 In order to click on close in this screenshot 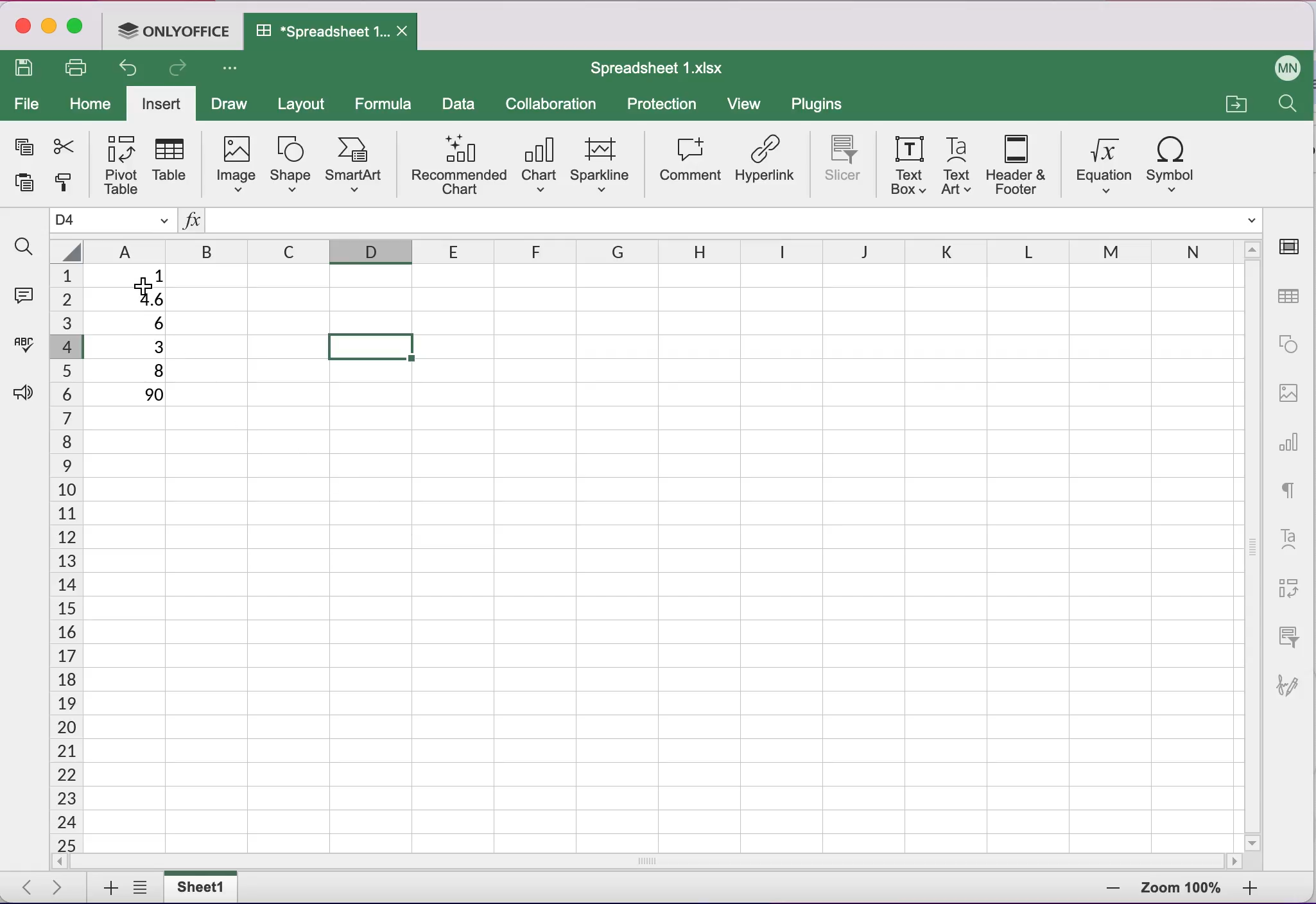, I will do `click(22, 31)`.